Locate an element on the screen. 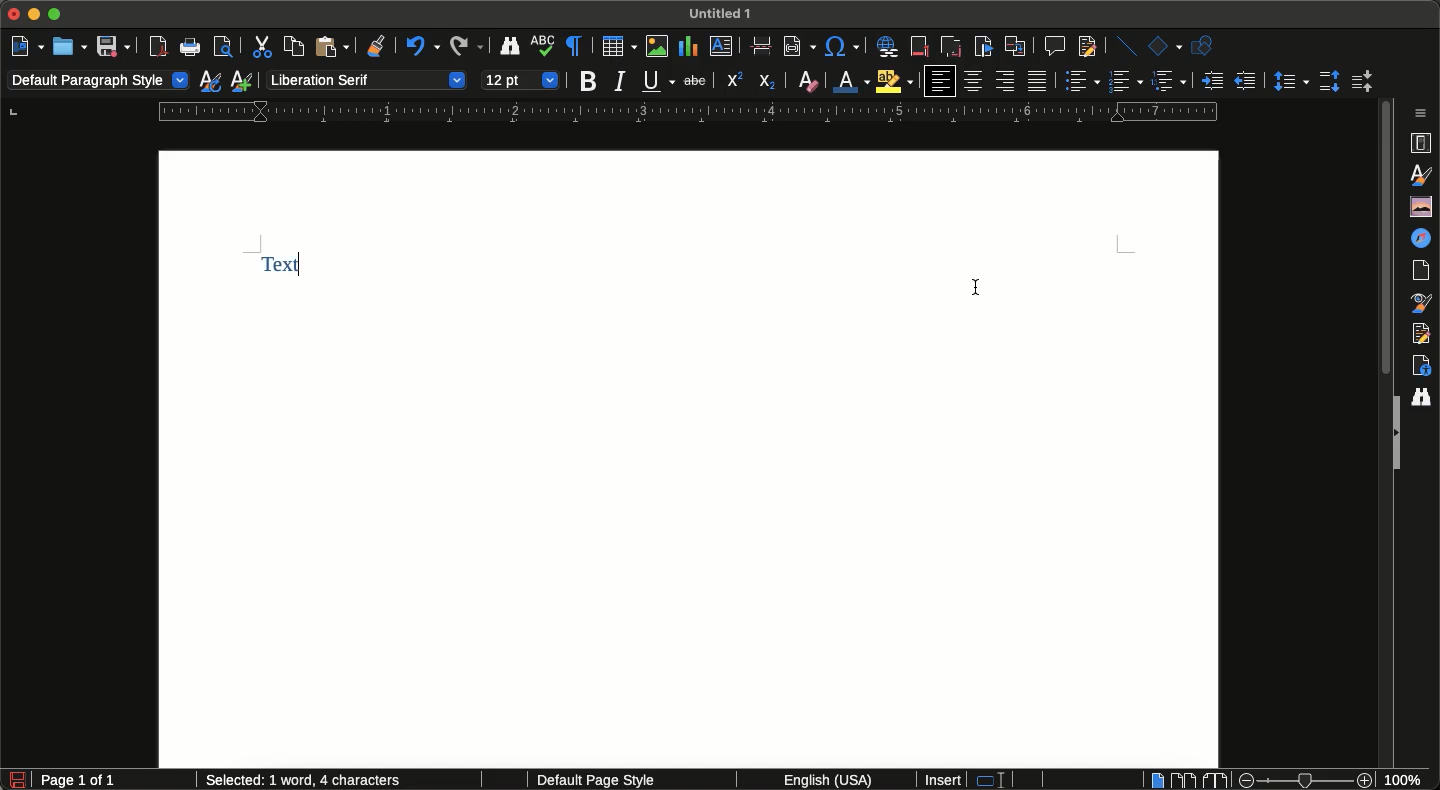  Accessibility check is located at coordinates (1421, 366).